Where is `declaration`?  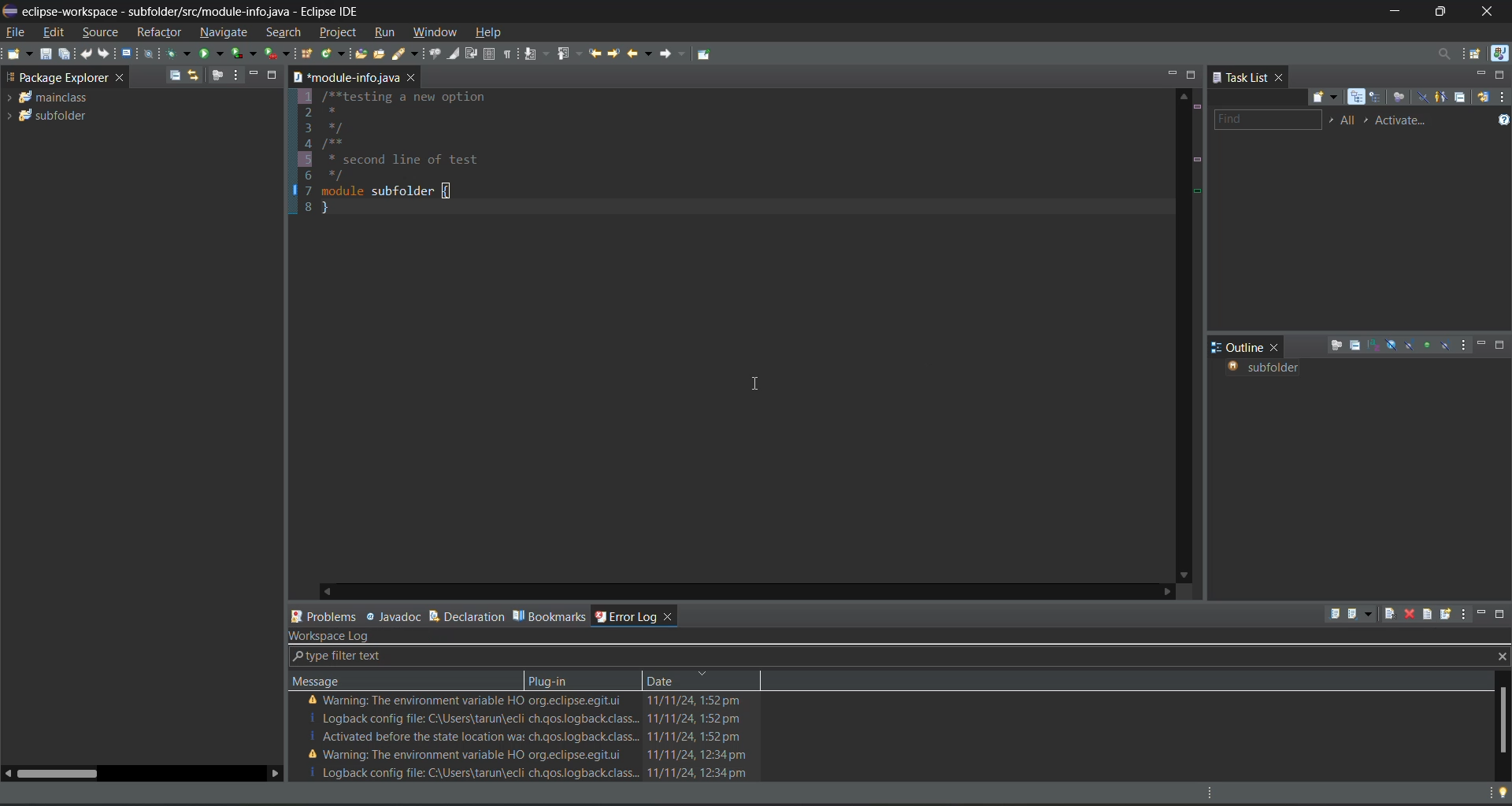 declaration is located at coordinates (484, 616).